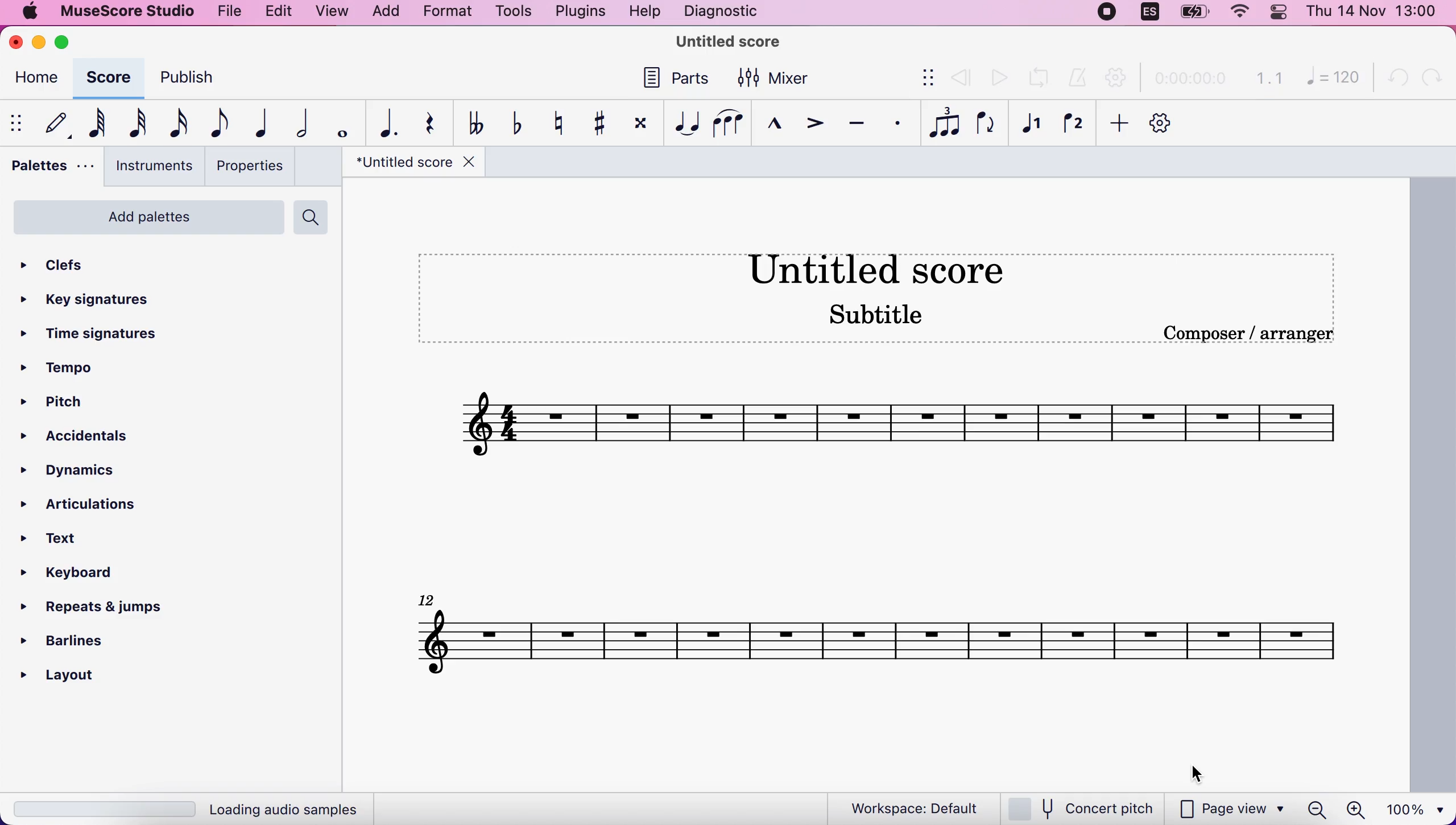 This screenshot has width=1456, height=825. Describe the element at coordinates (1195, 16) in the screenshot. I see `battery` at that location.